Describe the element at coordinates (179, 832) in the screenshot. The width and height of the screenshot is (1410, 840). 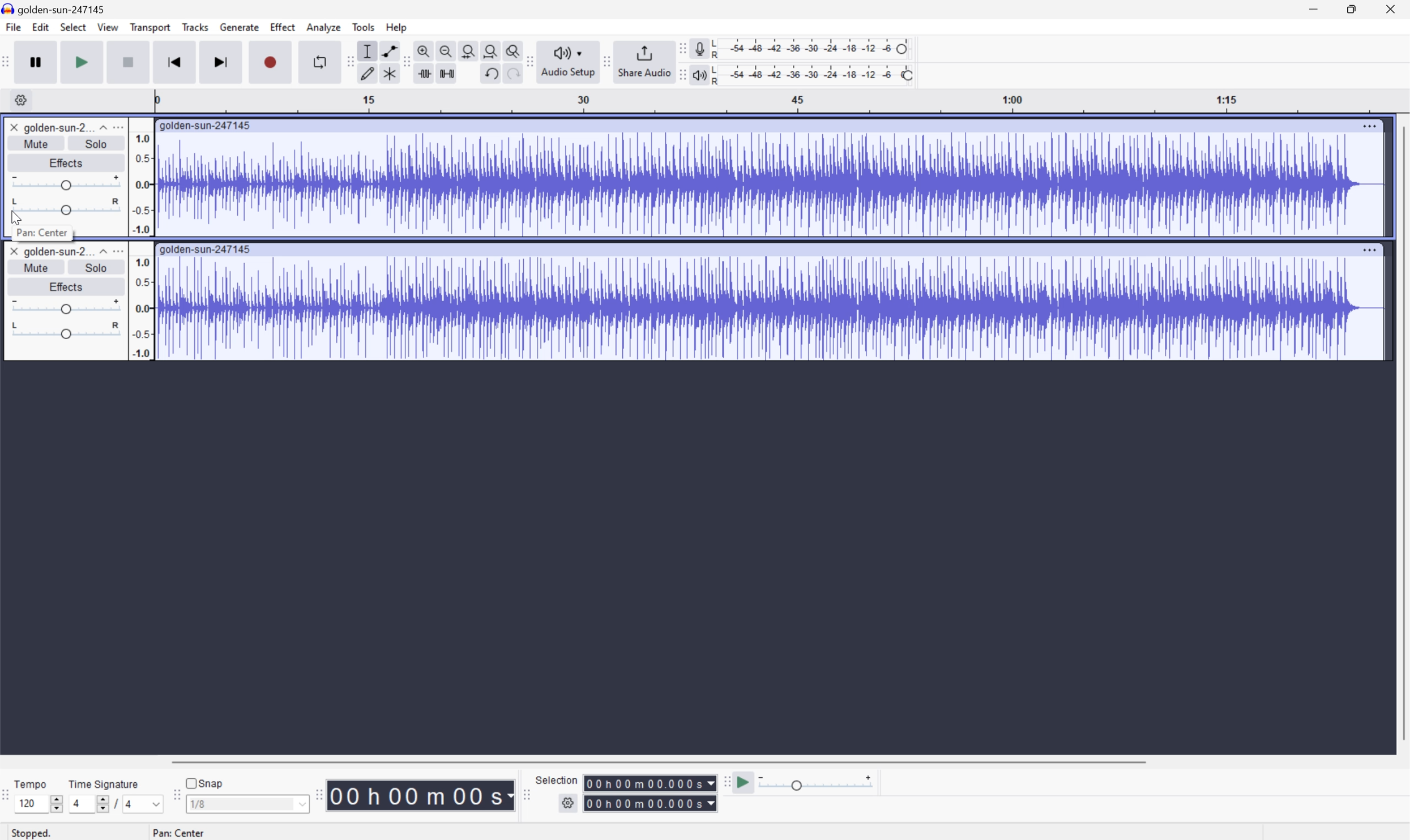
I see `Pan center` at that location.